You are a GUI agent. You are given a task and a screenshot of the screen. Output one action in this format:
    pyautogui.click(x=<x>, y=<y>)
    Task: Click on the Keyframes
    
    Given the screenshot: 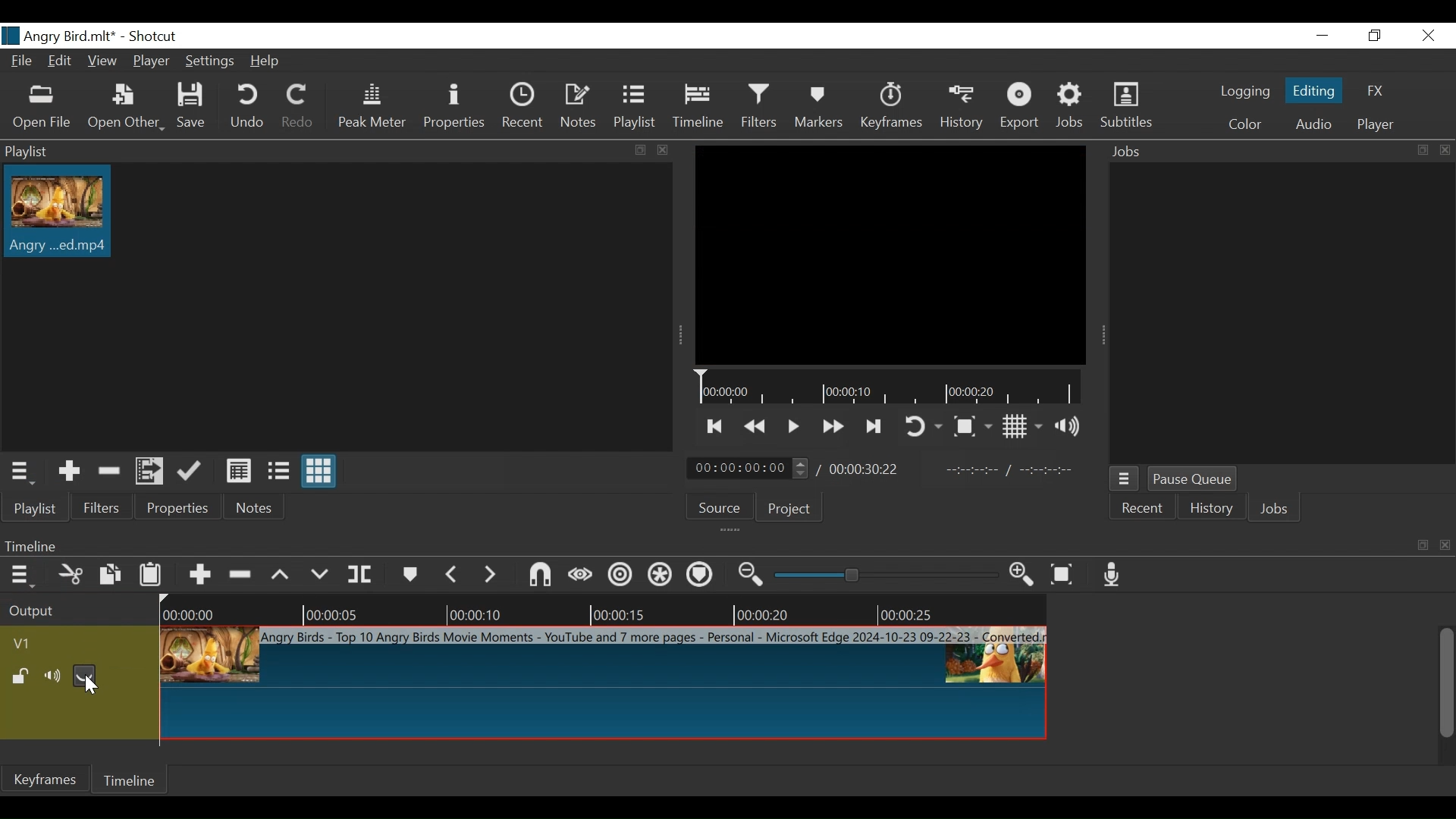 What is the action you would take?
    pyautogui.click(x=891, y=106)
    